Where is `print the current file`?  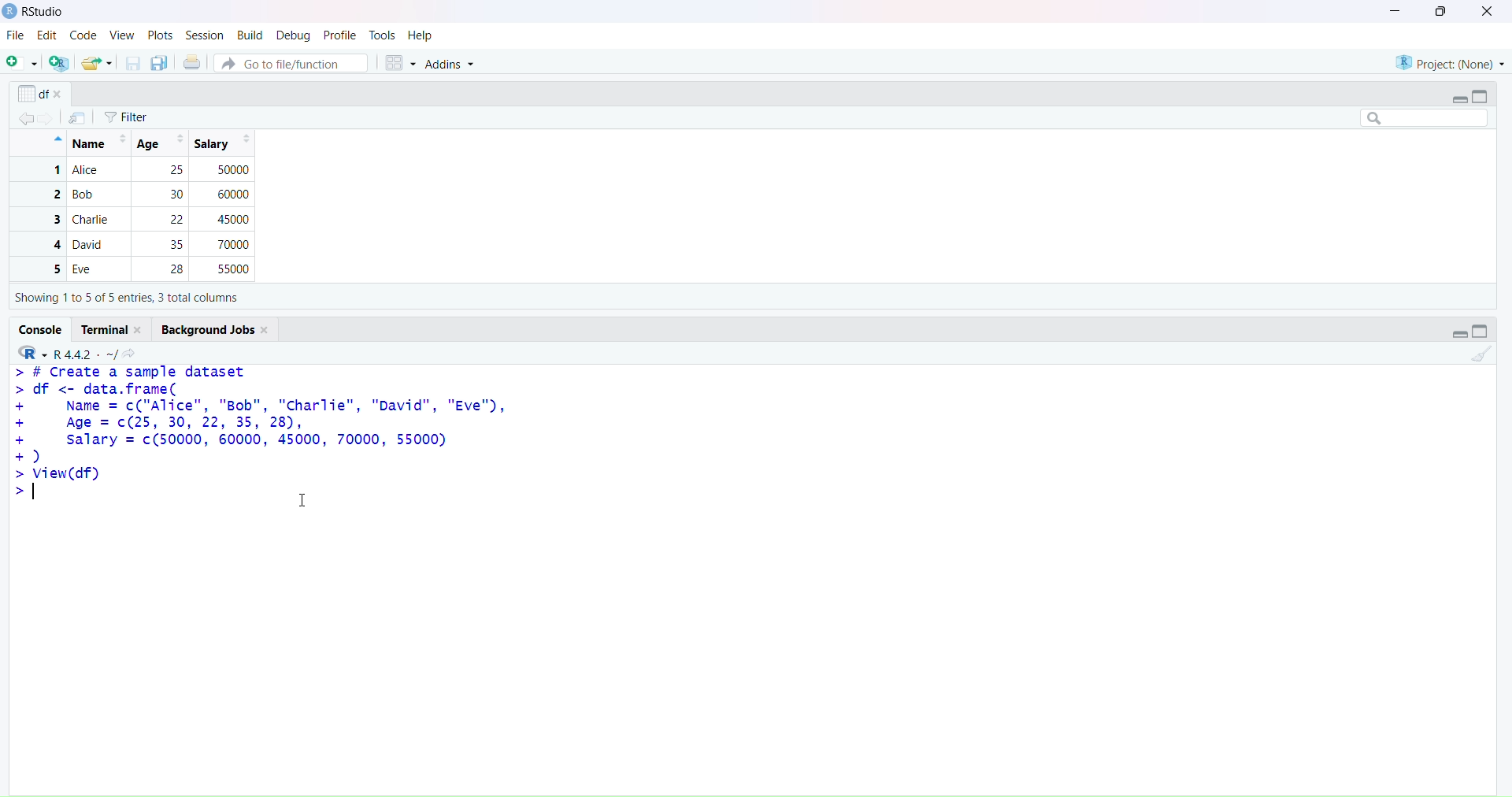 print the current file is located at coordinates (192, 61).